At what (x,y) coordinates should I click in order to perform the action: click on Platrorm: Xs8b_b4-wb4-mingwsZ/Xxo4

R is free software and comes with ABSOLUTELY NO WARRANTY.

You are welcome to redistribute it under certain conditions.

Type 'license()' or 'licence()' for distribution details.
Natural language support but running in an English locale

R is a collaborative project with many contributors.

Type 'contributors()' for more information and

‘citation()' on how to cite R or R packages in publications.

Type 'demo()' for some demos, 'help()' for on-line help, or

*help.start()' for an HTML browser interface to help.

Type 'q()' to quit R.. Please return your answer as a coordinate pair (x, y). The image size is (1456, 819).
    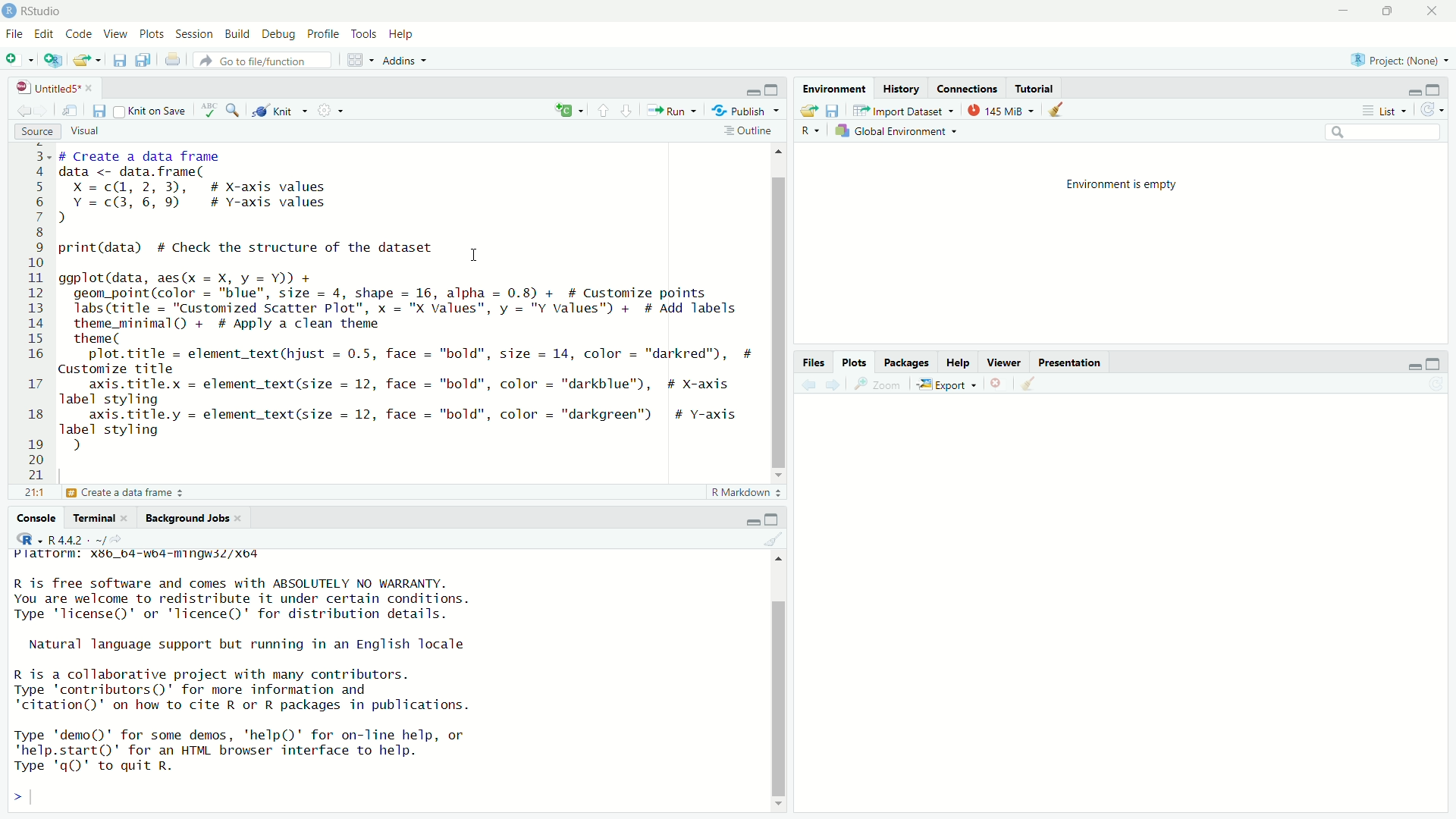
    Looking at the image, I should click on (256, 659).